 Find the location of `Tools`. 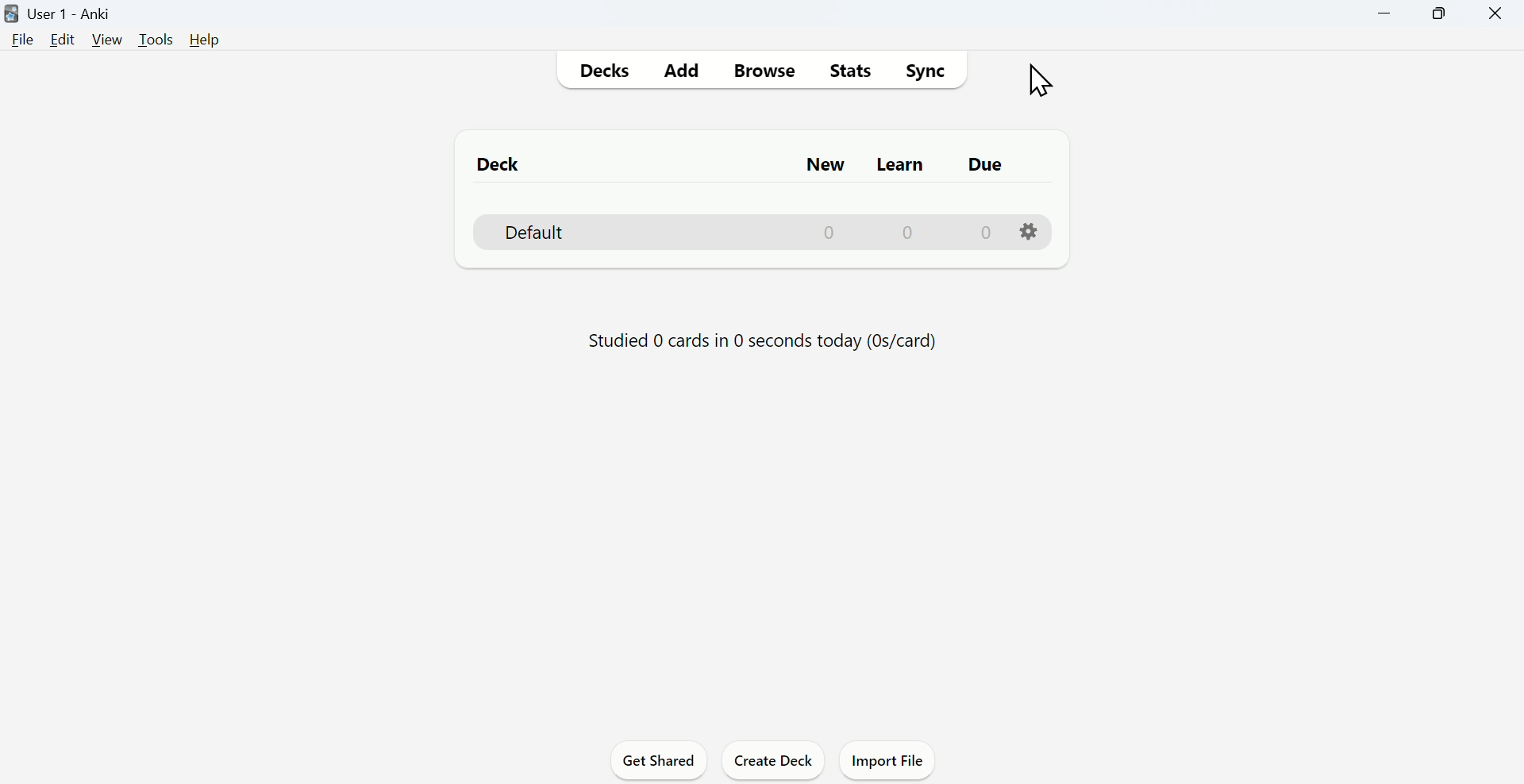

Tools is located at coordinates (155, 40).